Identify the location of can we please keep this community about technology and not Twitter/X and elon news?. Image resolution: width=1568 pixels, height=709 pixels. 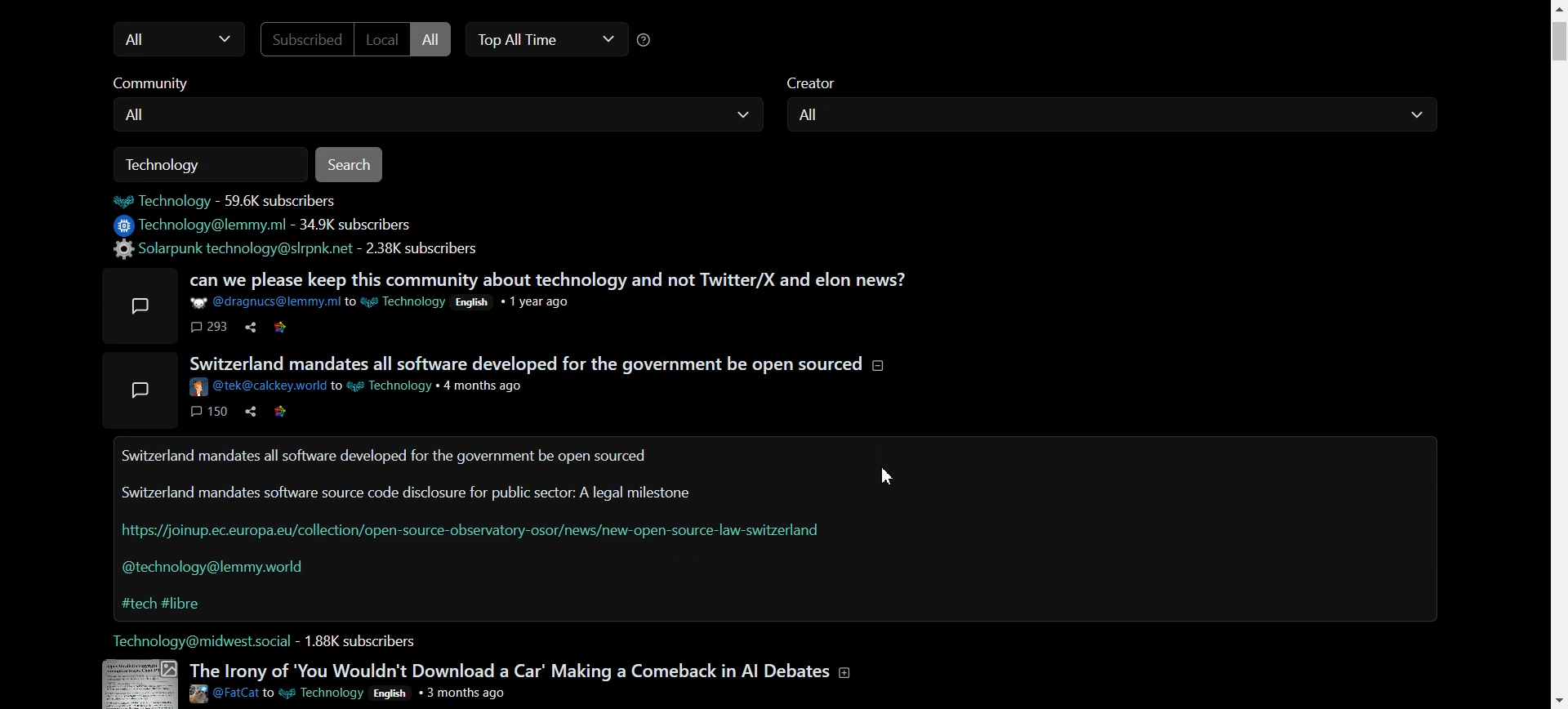
(552, 280).